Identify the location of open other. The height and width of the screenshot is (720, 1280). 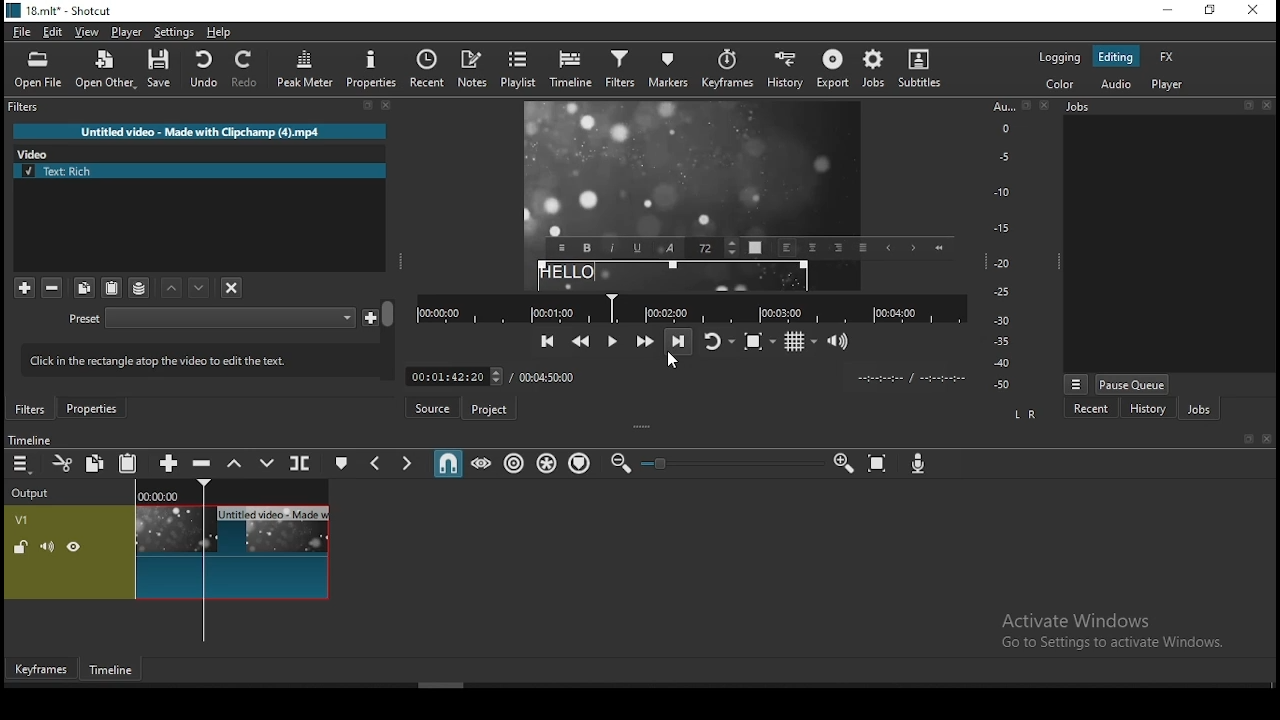
(104, 70).